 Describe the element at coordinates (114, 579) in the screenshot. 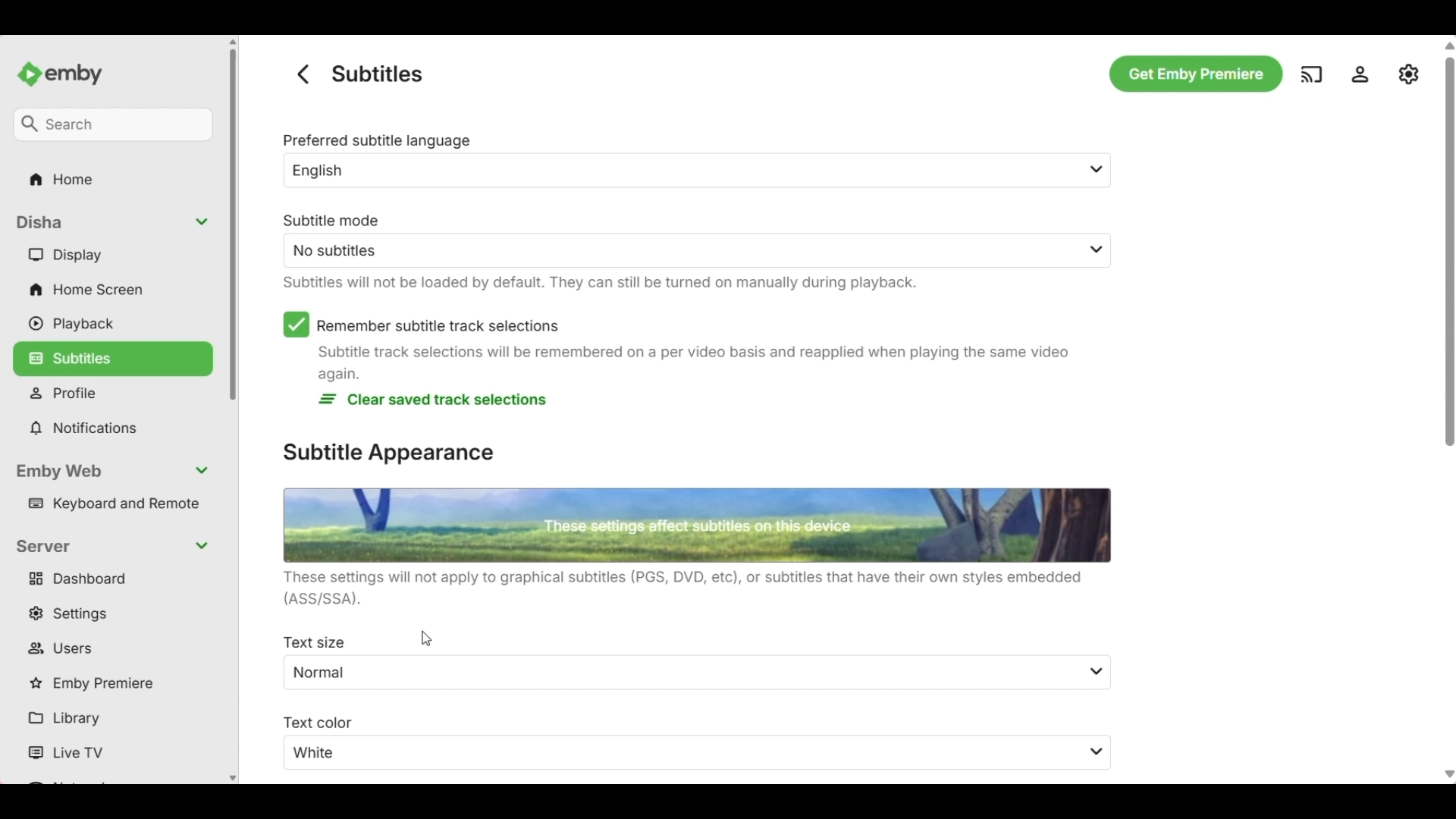

I see `Dashboard, current selection highlighted` at that location.